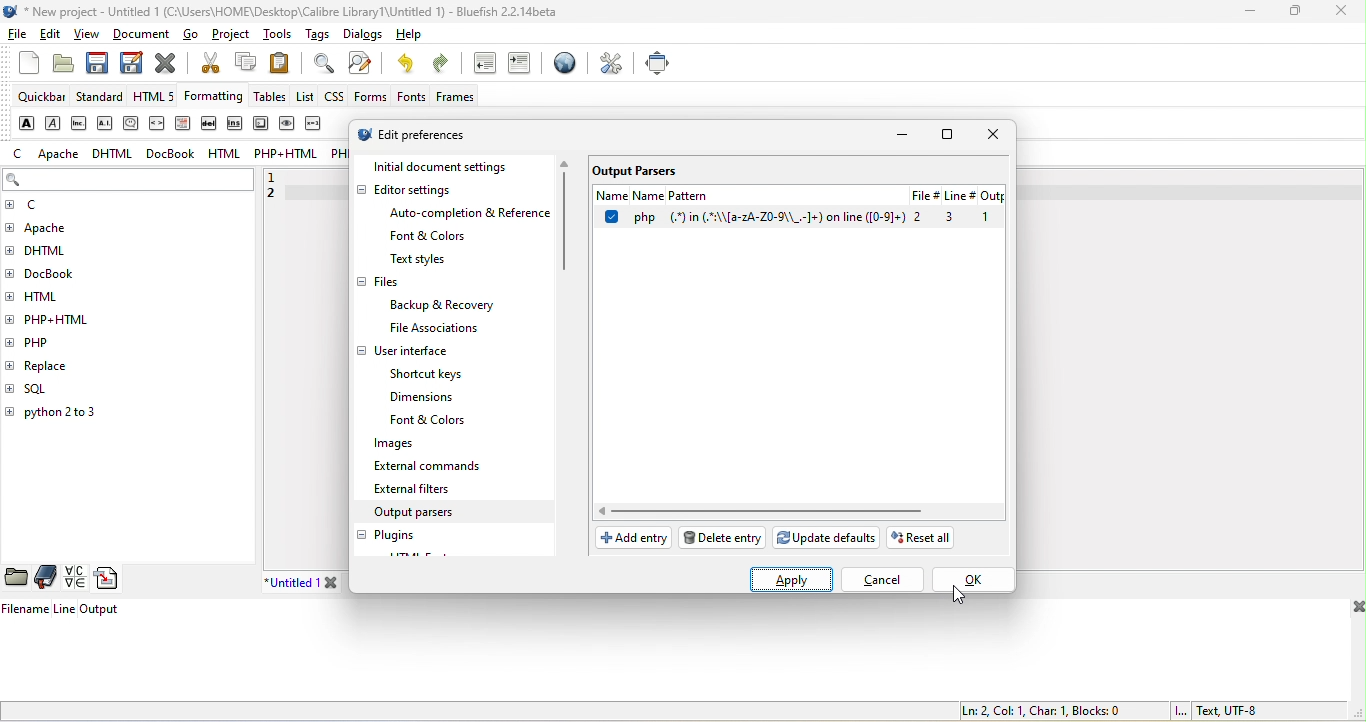 The height and width of the screenshot is (722, 1366). What do you see at coordinates (612, 63) in the screenshot?
I see `preferences` at bounding box center [612, 63].